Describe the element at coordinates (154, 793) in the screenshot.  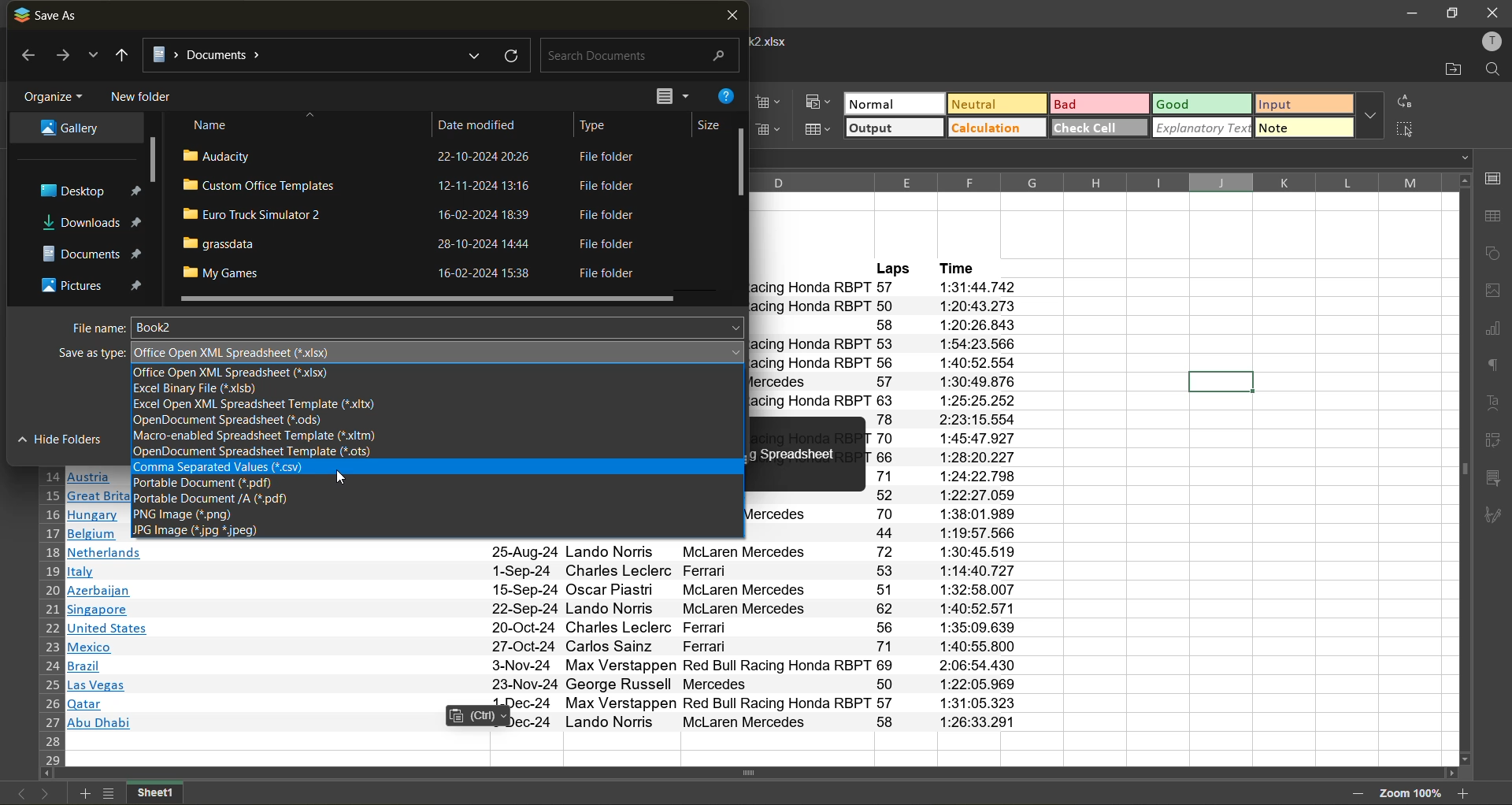
I see `sheet name` at that location.